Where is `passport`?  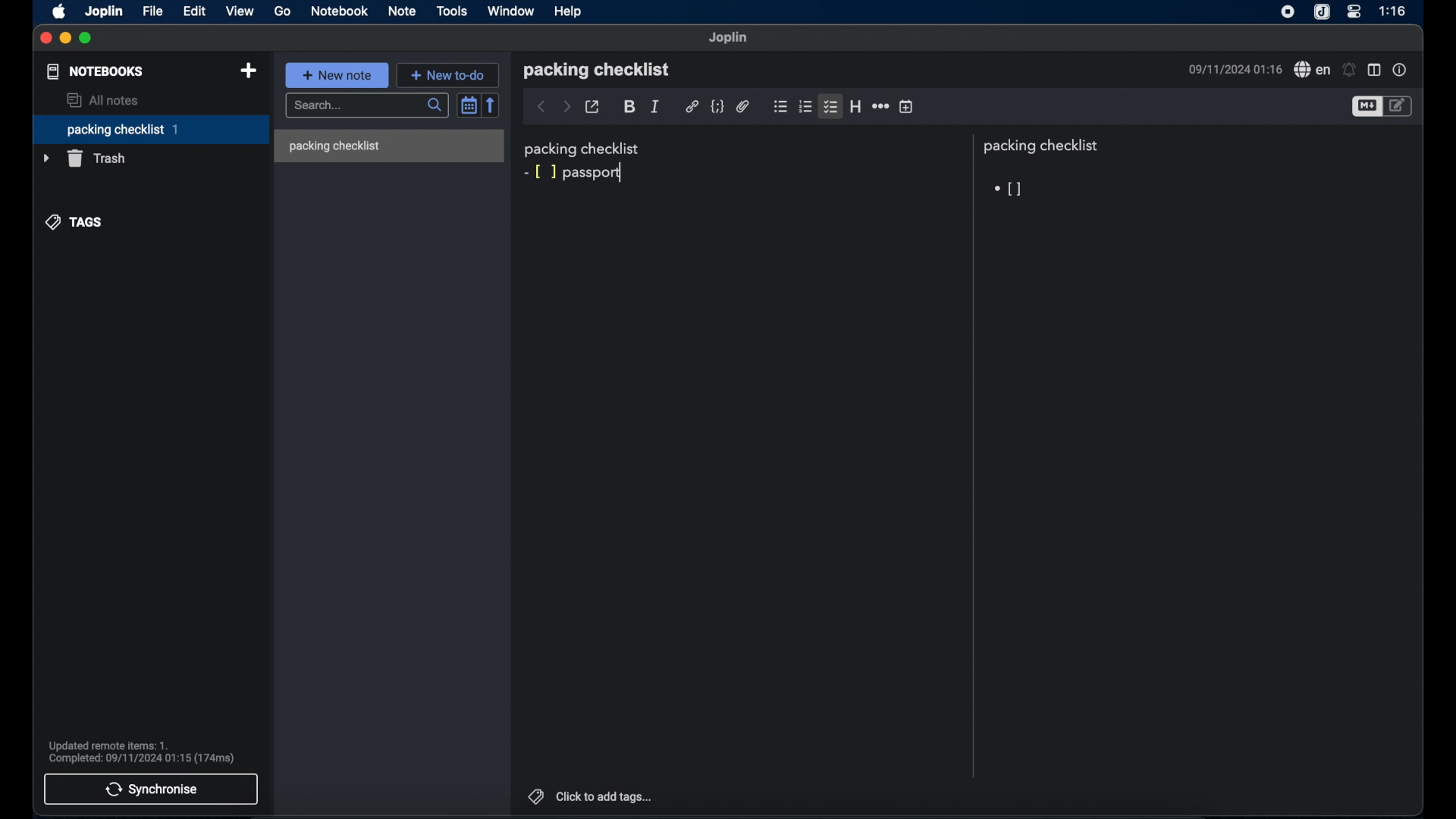 passport is located at coordinates (595, 172).